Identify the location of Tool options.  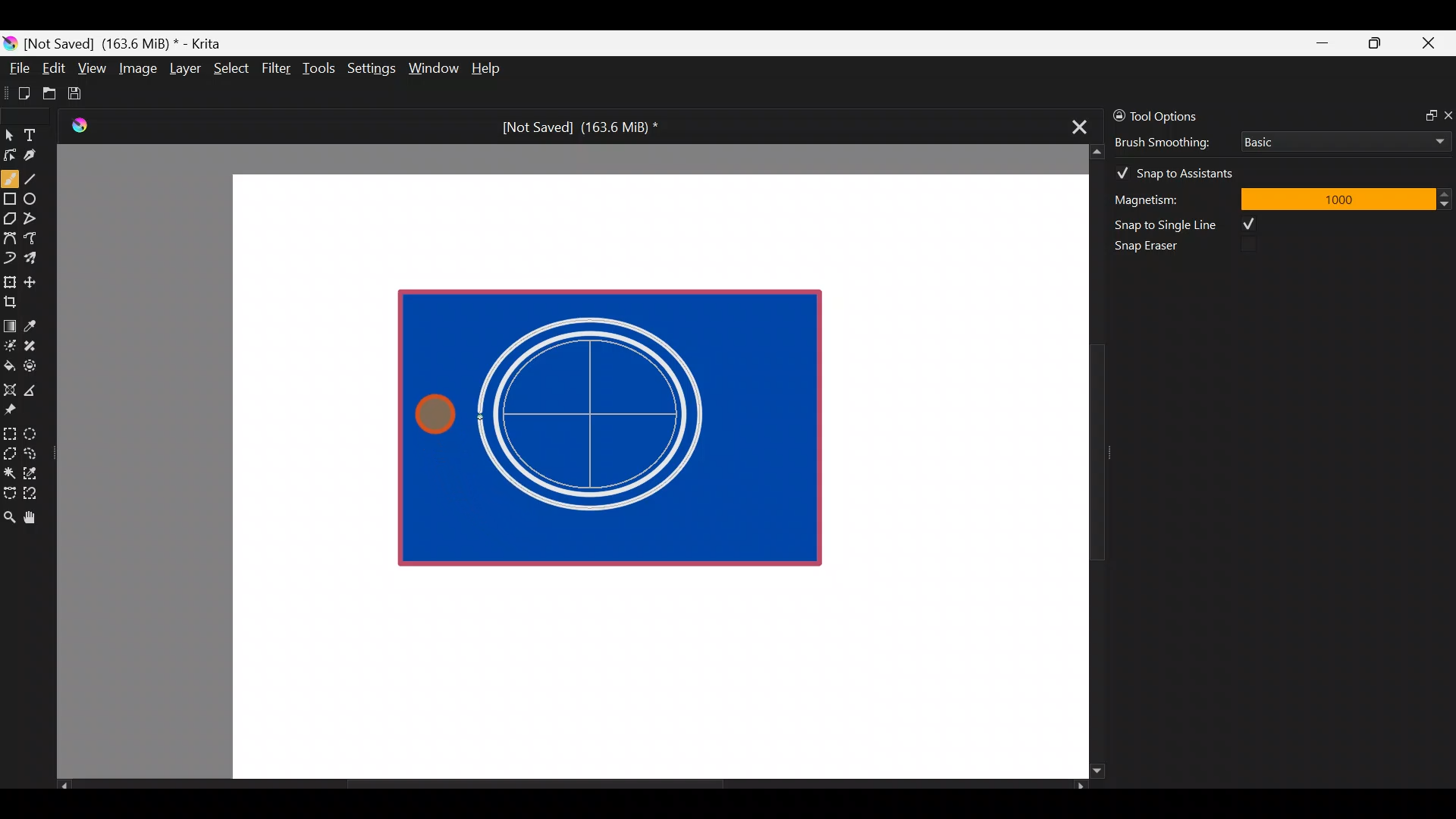
(1178, 116).